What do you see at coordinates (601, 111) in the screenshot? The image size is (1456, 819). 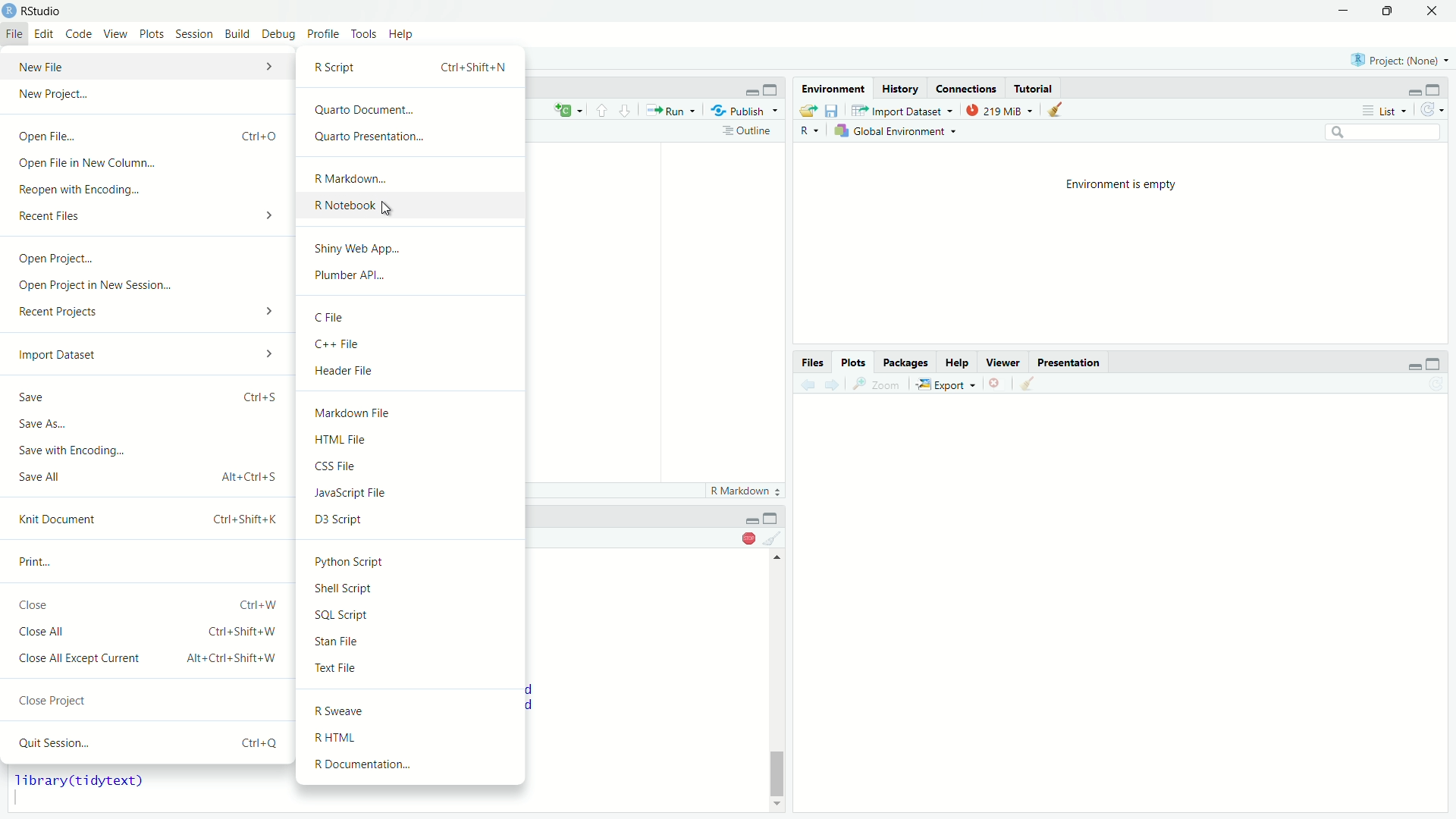 I see `go to previous section` at bounding box center [601, 111].